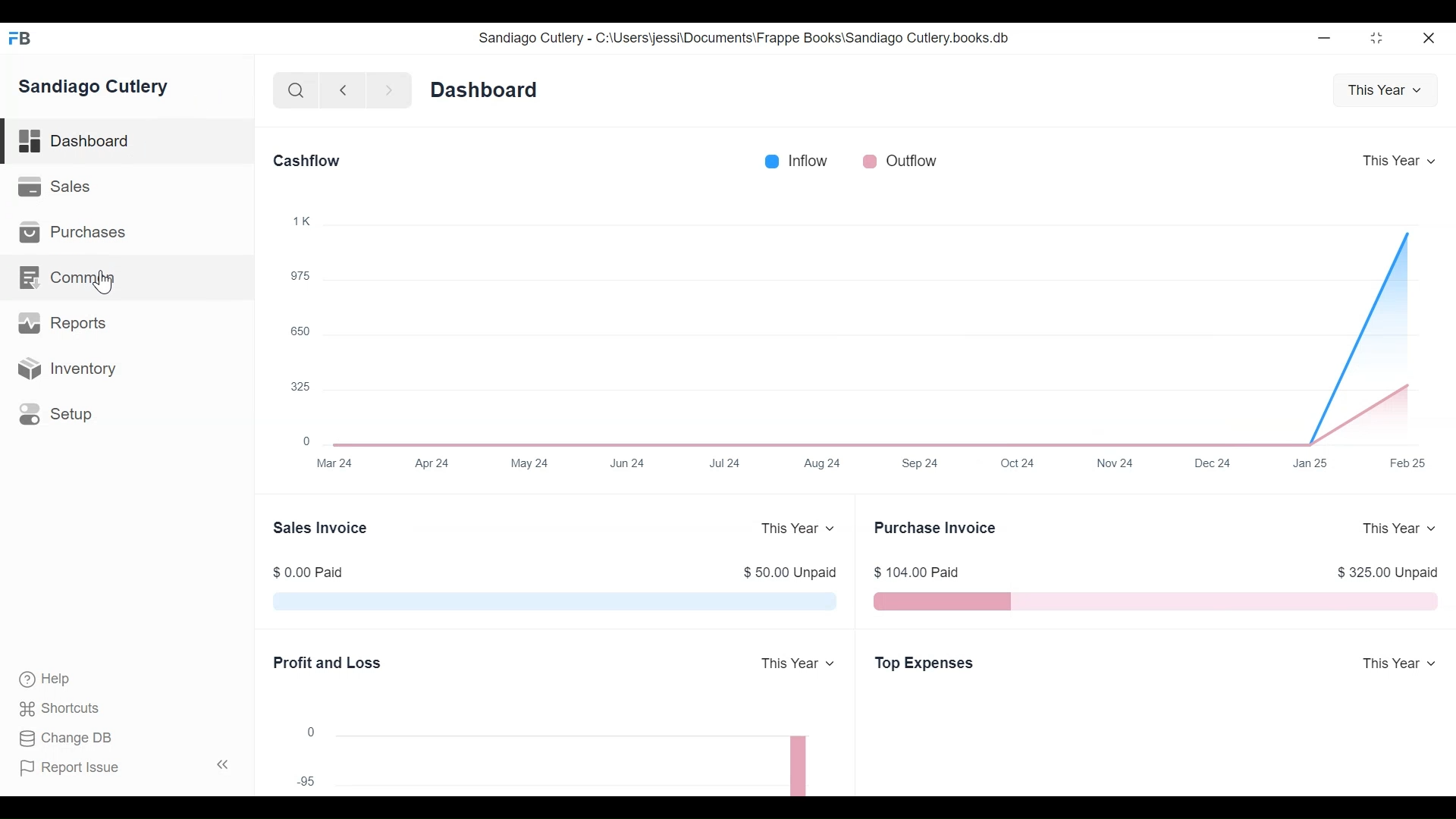 This screenshot has height=819, width=1456. I want to click on Profit and Loss, so click(326, 664).